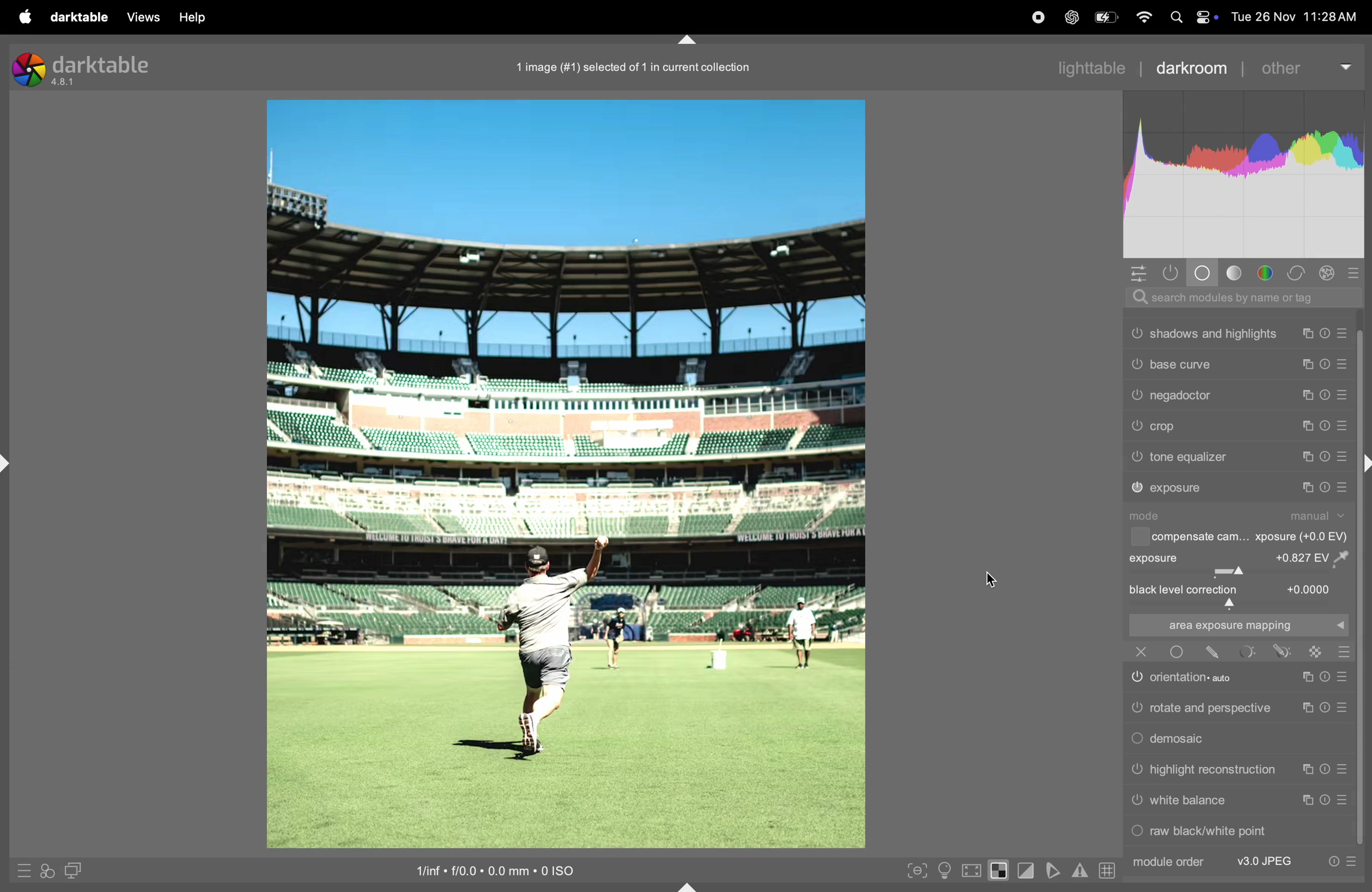 This screenshot has width=1372, height=892. I want to click on version, so click(65, 83).